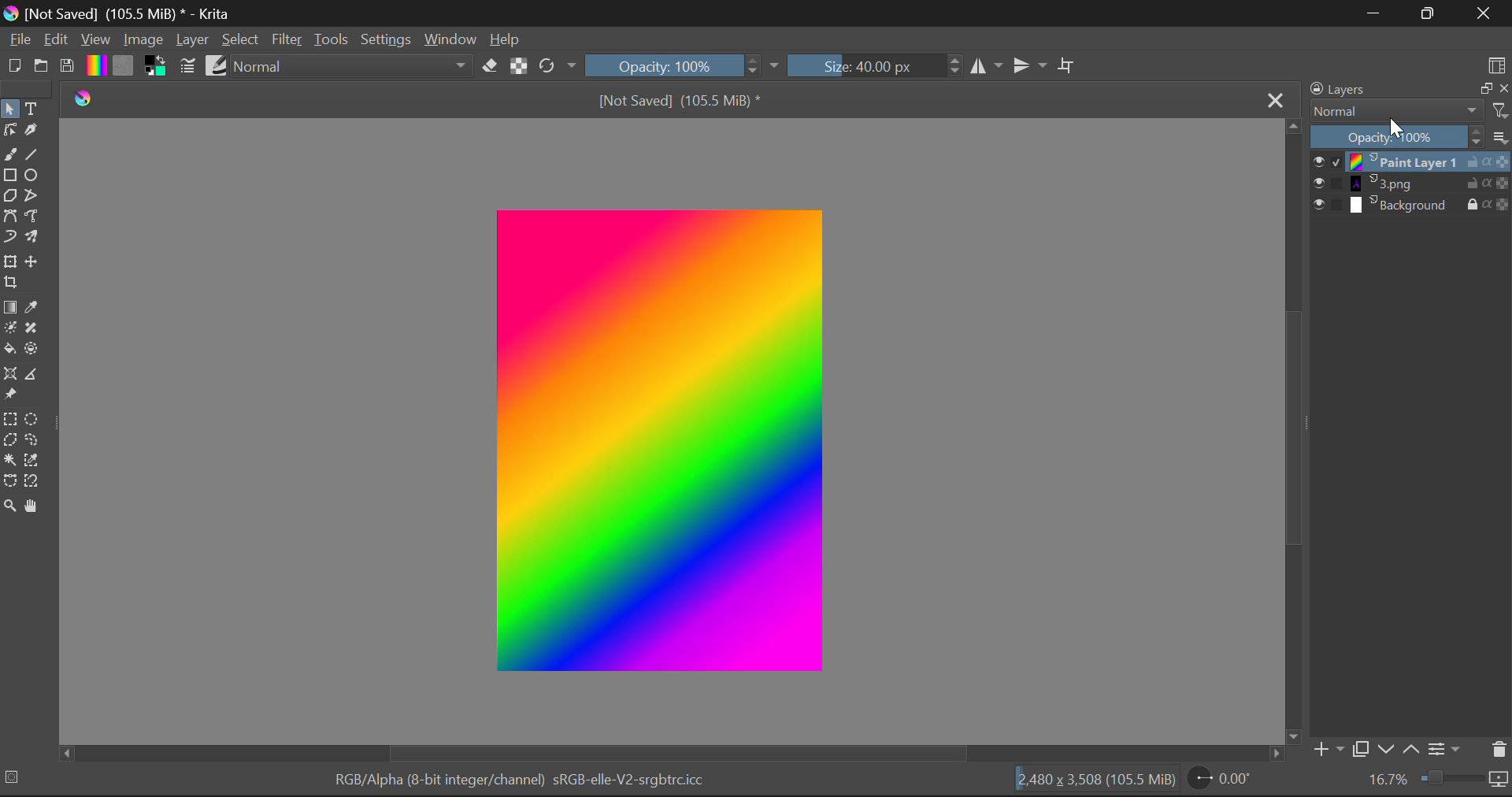 This screenshot has width=1512, height=797. I want to click on Opacity 100%, so click(1388, 137).